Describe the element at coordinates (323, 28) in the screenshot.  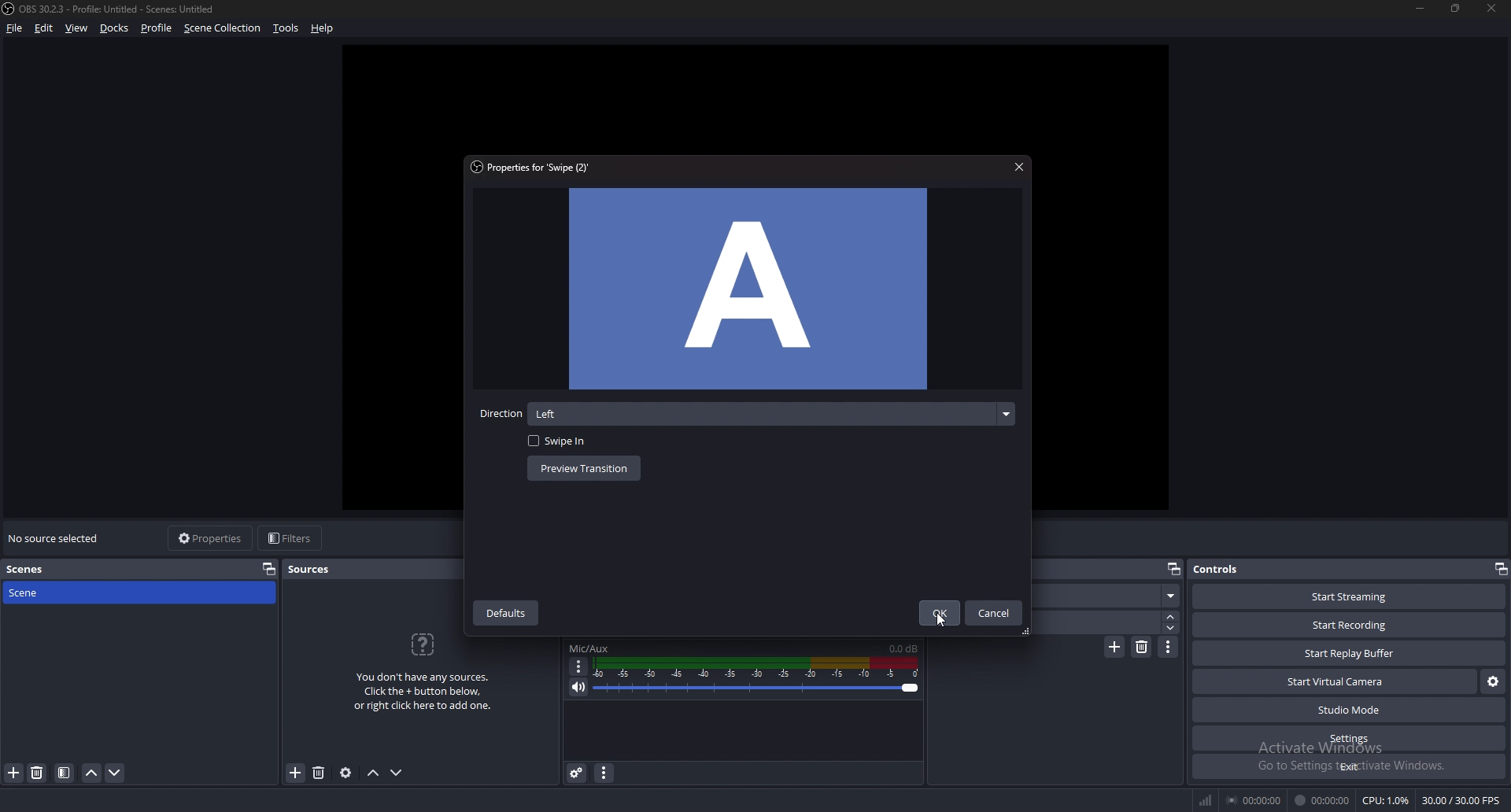
I see `help` at that location.